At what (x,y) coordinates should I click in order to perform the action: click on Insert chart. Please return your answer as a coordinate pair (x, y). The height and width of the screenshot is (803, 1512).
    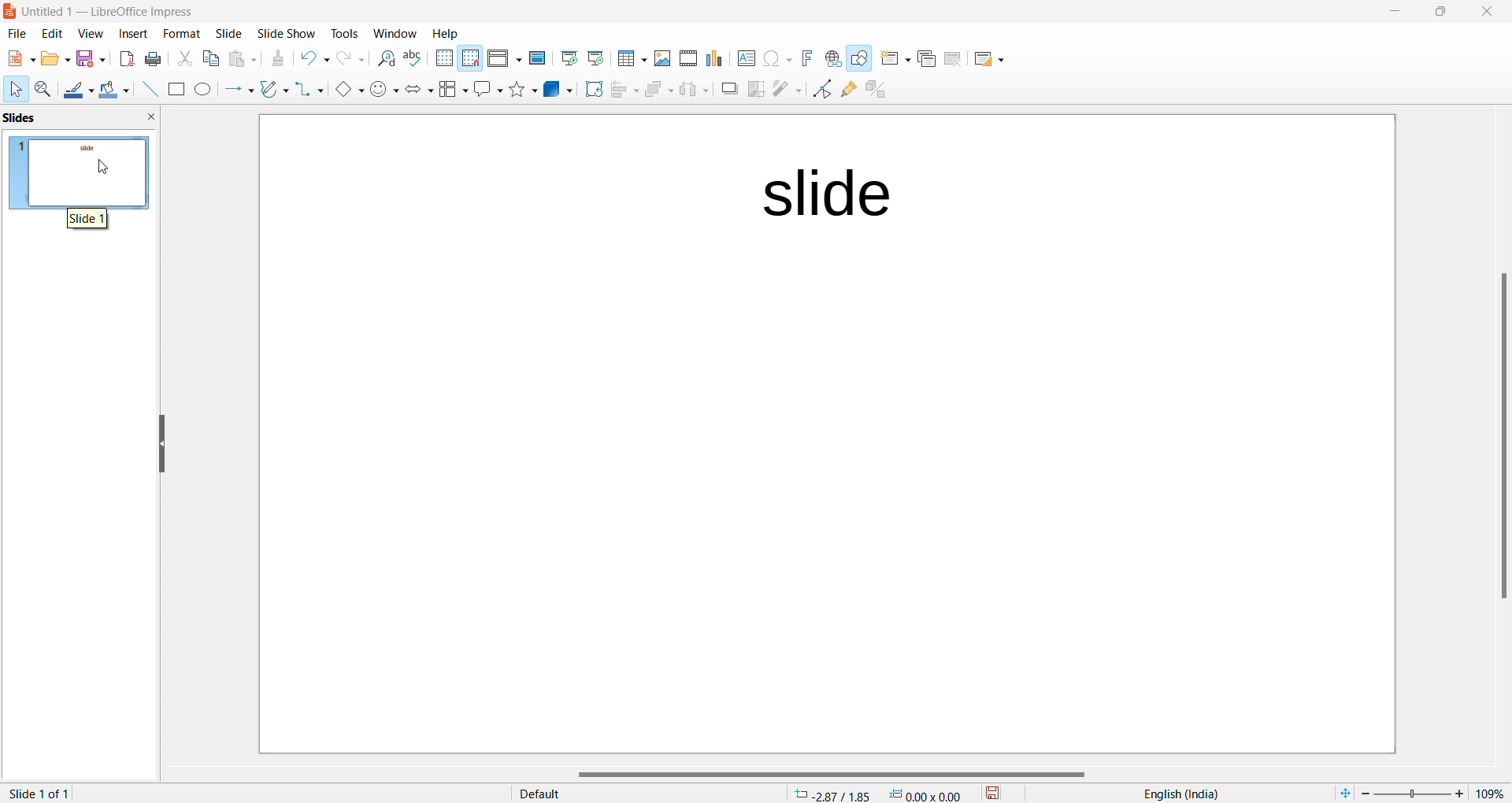
    Looking at the image, I should click on (711, 58).